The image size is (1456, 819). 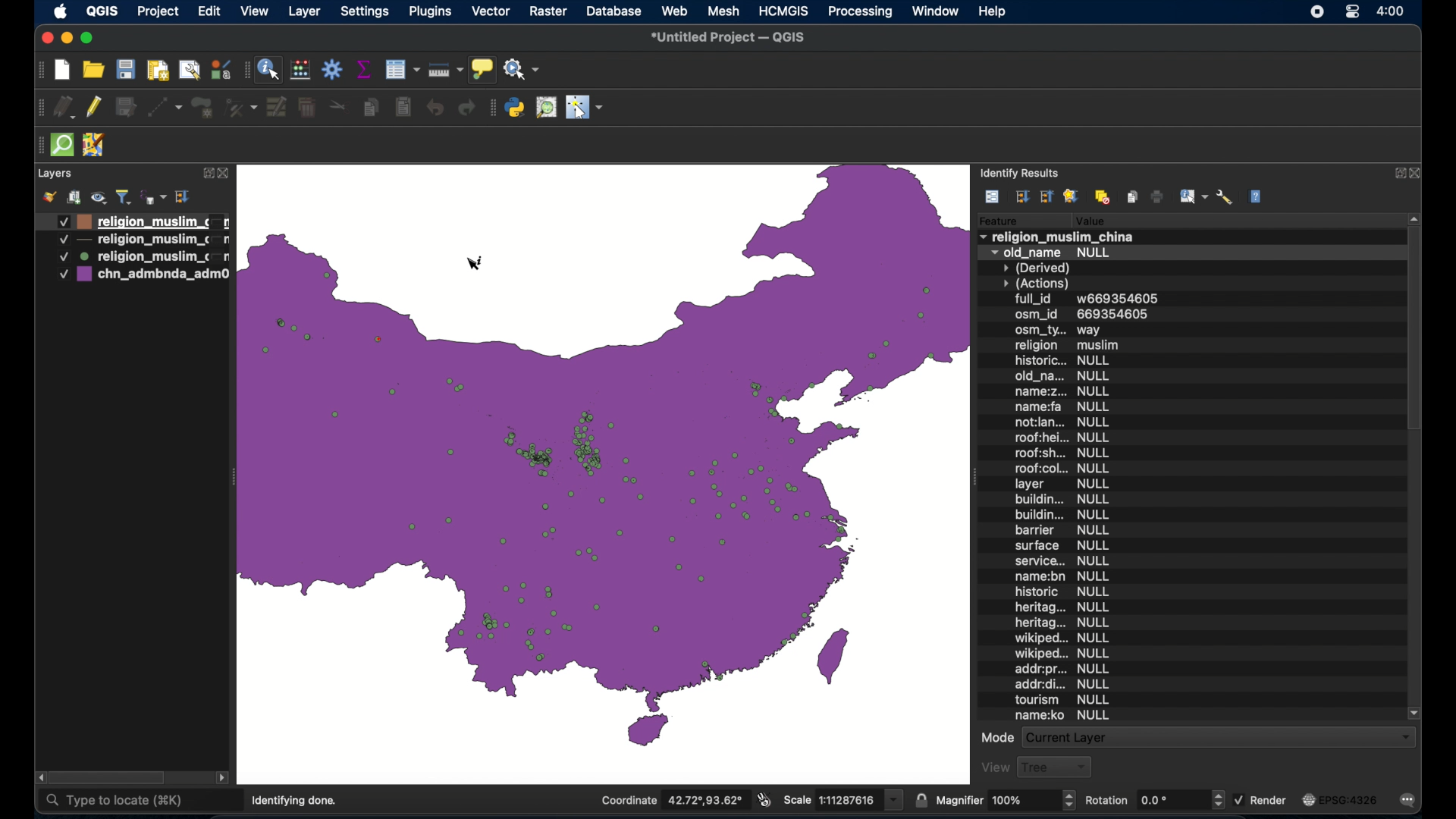 What do you see at coordinates (127, 107) in the screenshot?
I see `save edits` at bounding box center [127, 107].